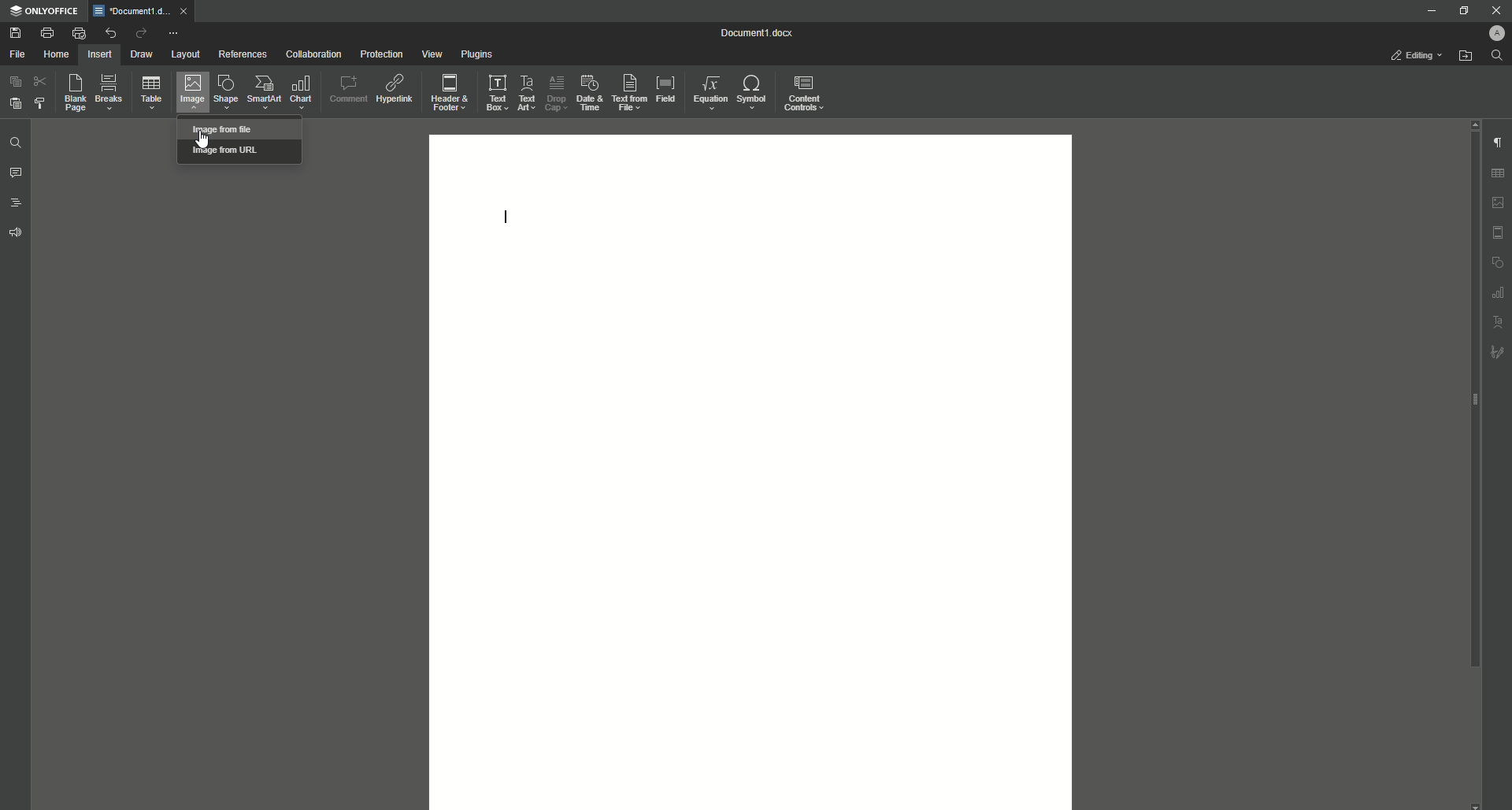 The image size is (1512, 810). What do you see at coordinates (1498, 351) in the screenshot?
I see `Signature Settings` at bounding box center [1498, 351].